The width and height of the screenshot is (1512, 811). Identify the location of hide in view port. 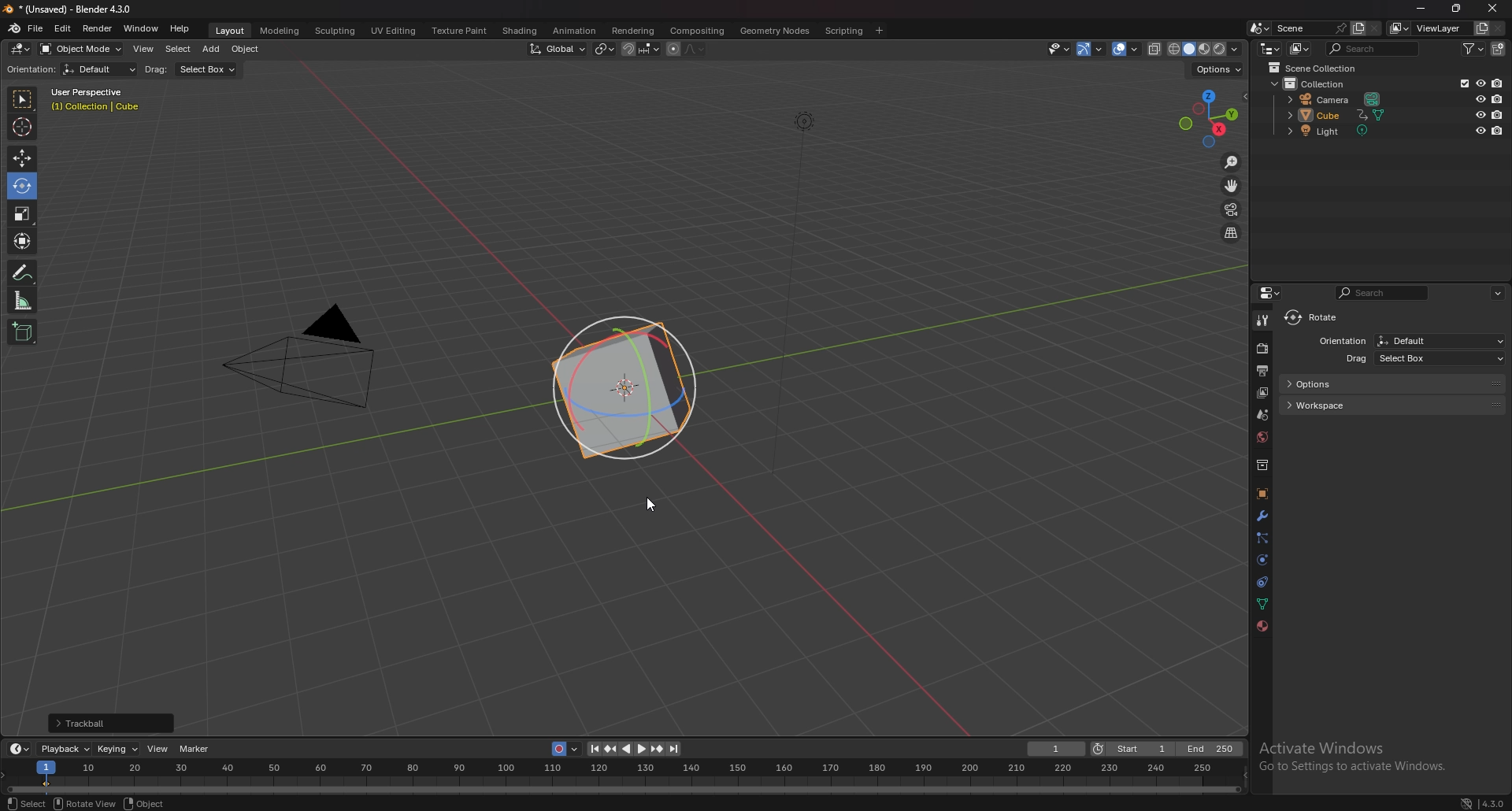
(1481, 98).